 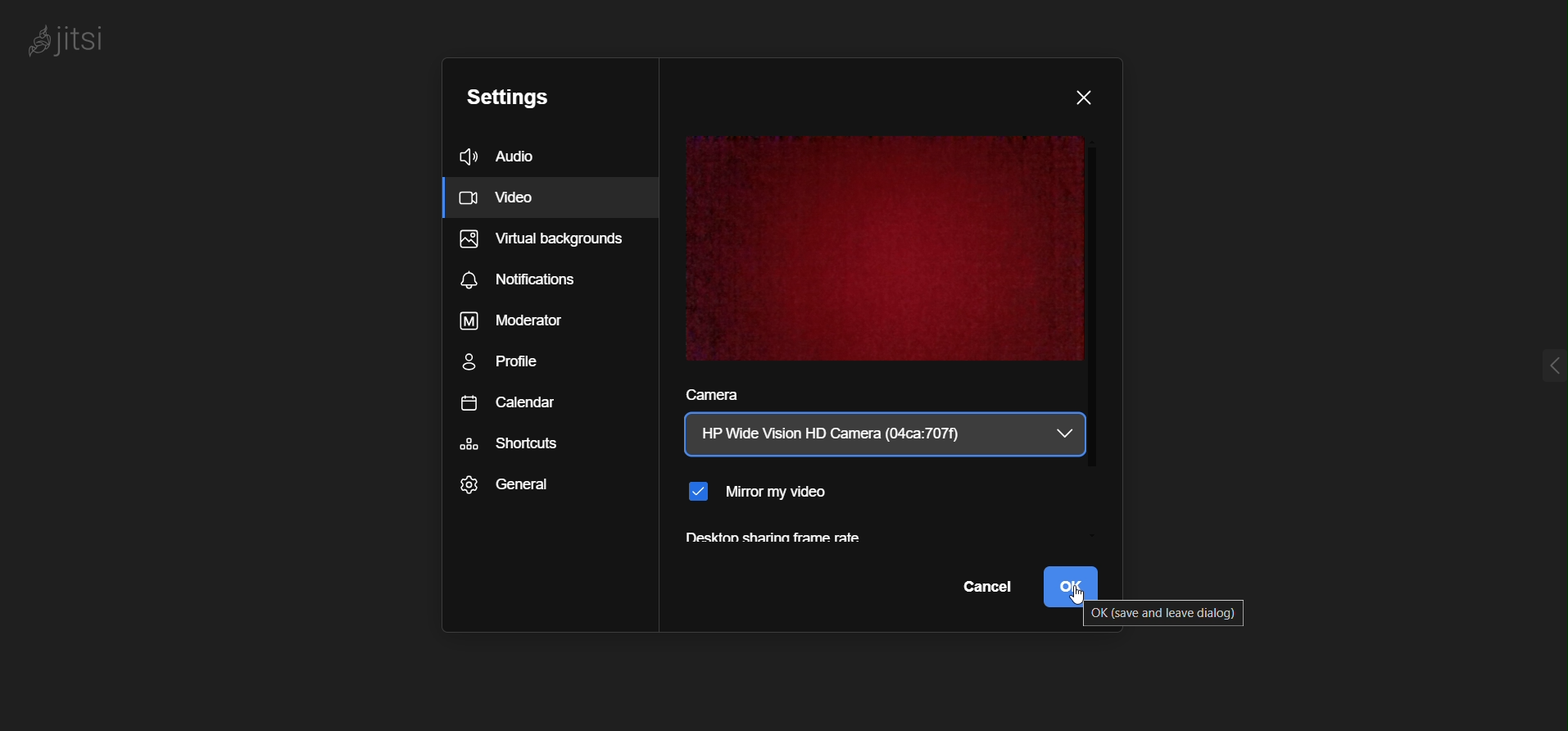 I want to click on virtual background, so click(x=538, y=243).